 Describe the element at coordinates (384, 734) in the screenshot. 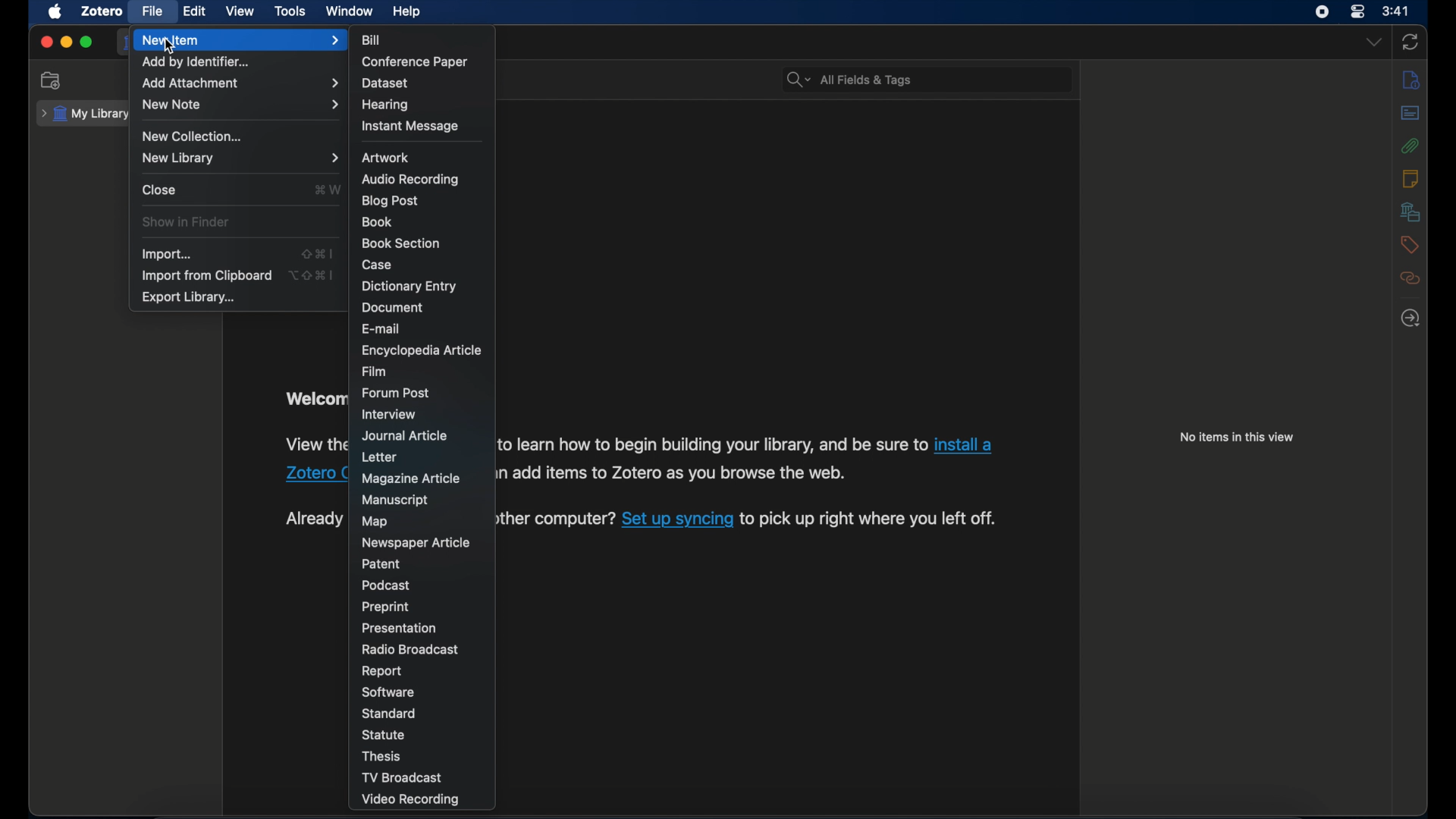

I see `statue` at that location.